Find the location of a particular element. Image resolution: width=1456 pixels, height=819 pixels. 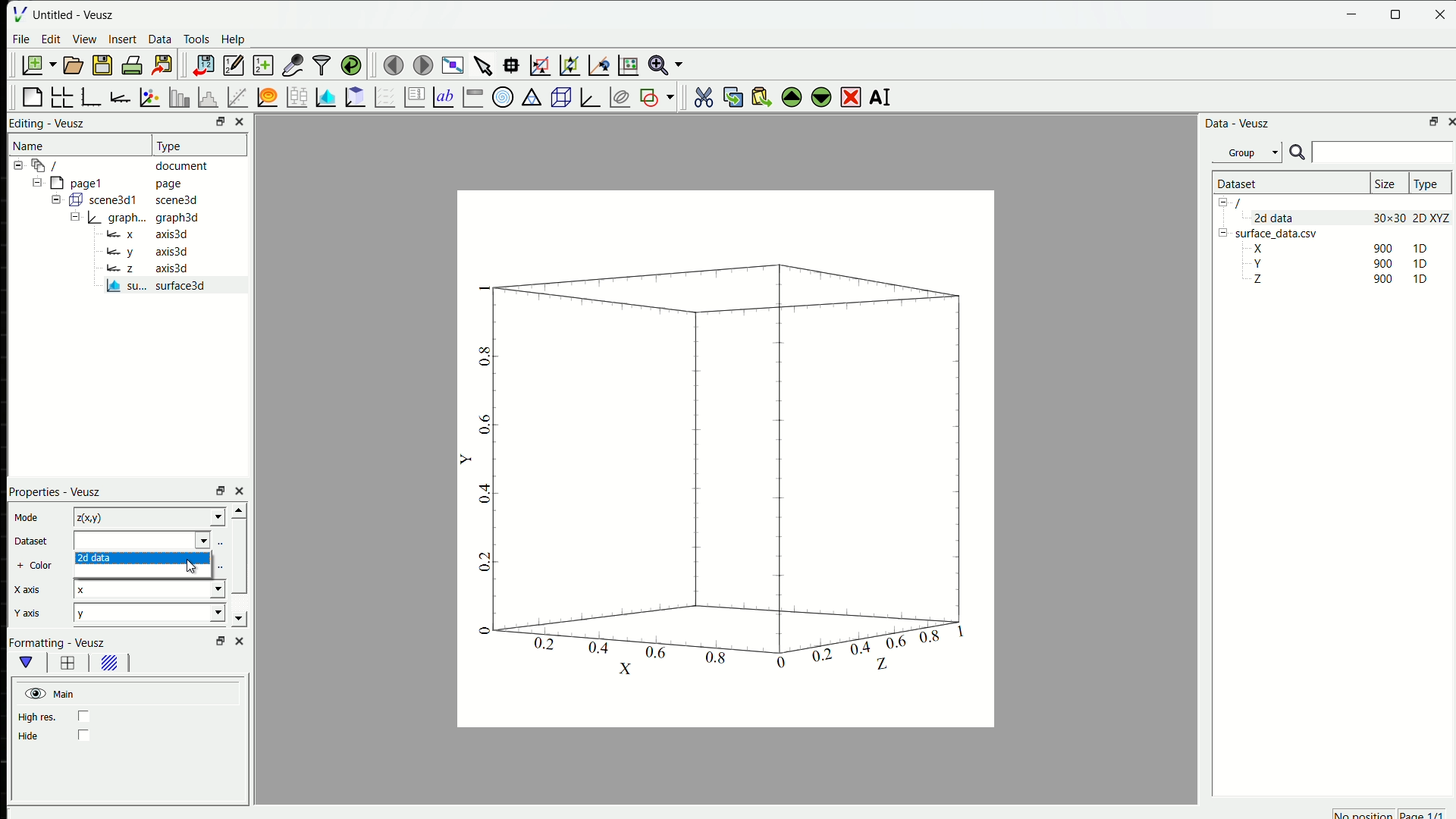

delete is located at coordinates (851, 98).